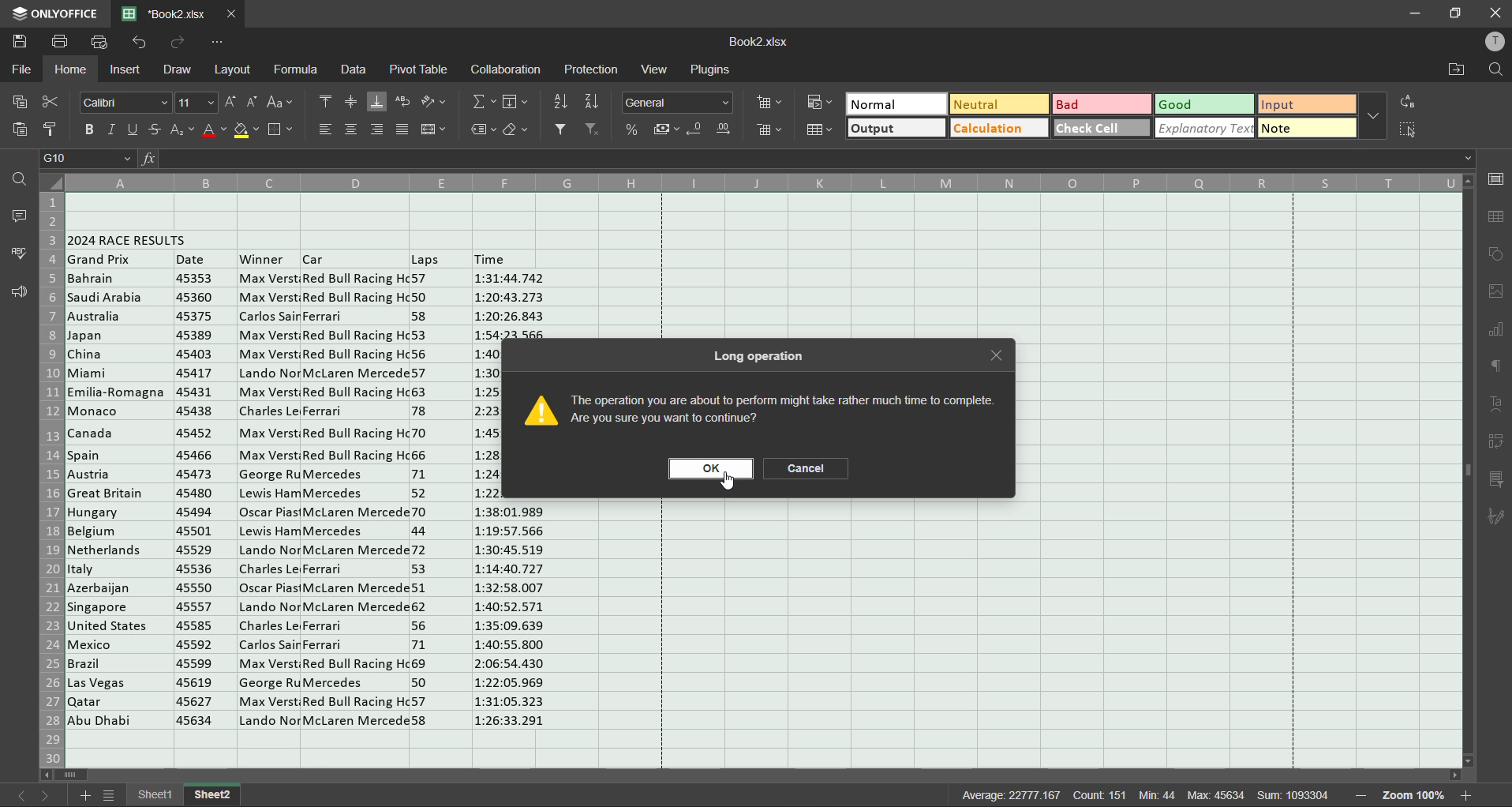 This screenshot has height=807, width=1512. Describe the element at coordinates (376, 103) in the screenshot. I see `align bottom` at that location.